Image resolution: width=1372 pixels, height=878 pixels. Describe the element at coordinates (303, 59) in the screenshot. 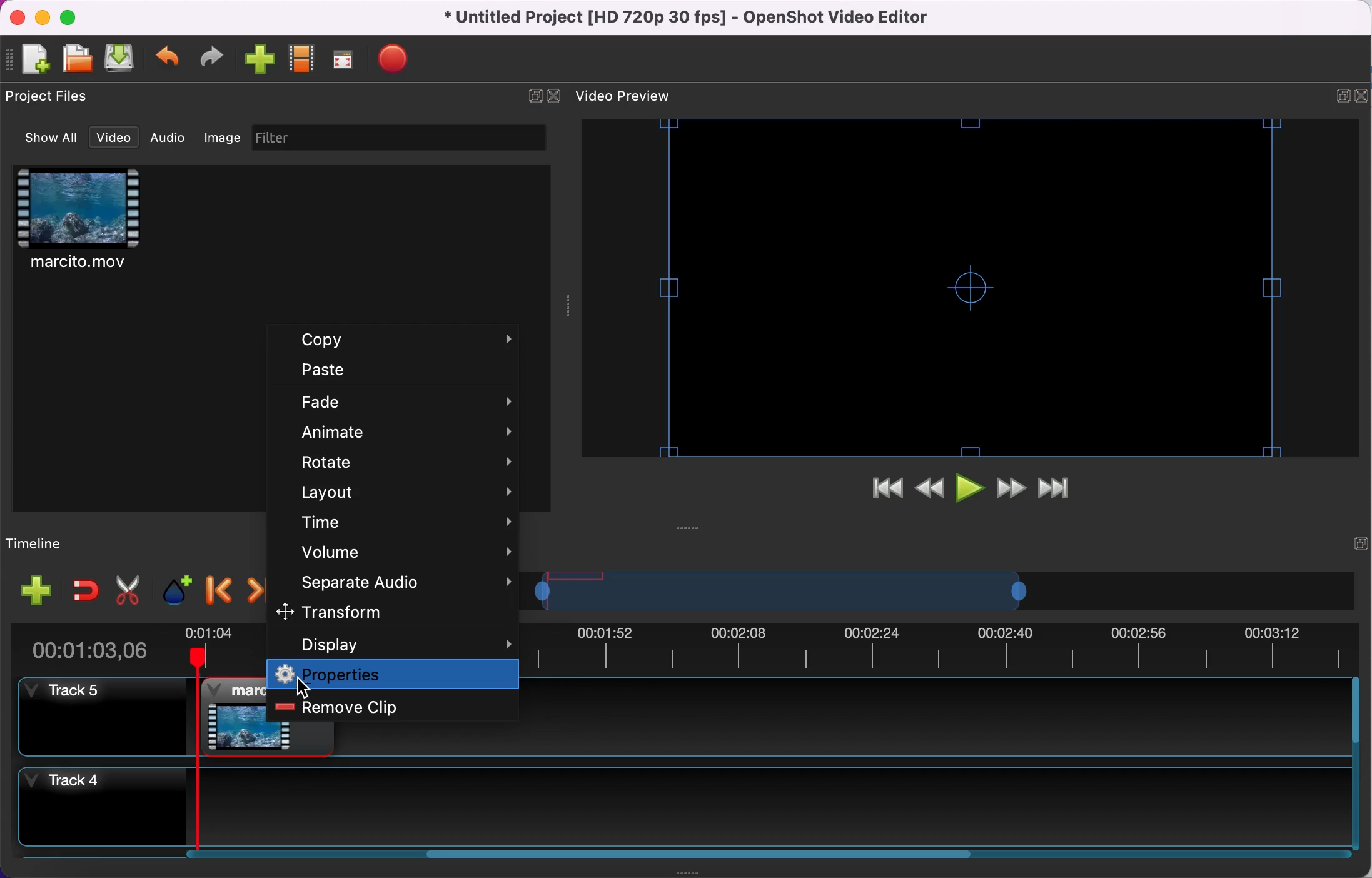

I see `choose profile` at that location.